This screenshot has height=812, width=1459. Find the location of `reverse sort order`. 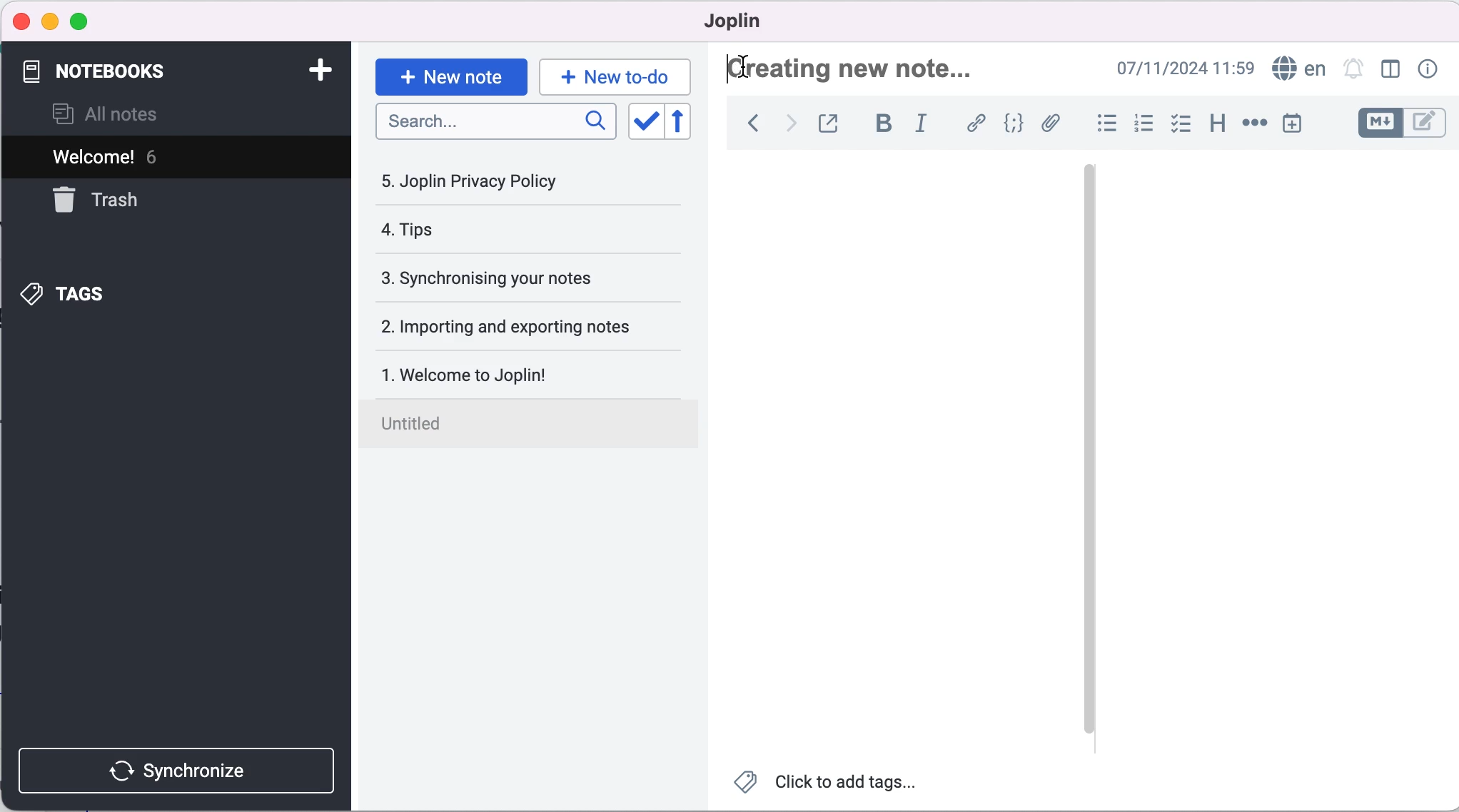

reverse sort order is located at coordinates (682, 122).